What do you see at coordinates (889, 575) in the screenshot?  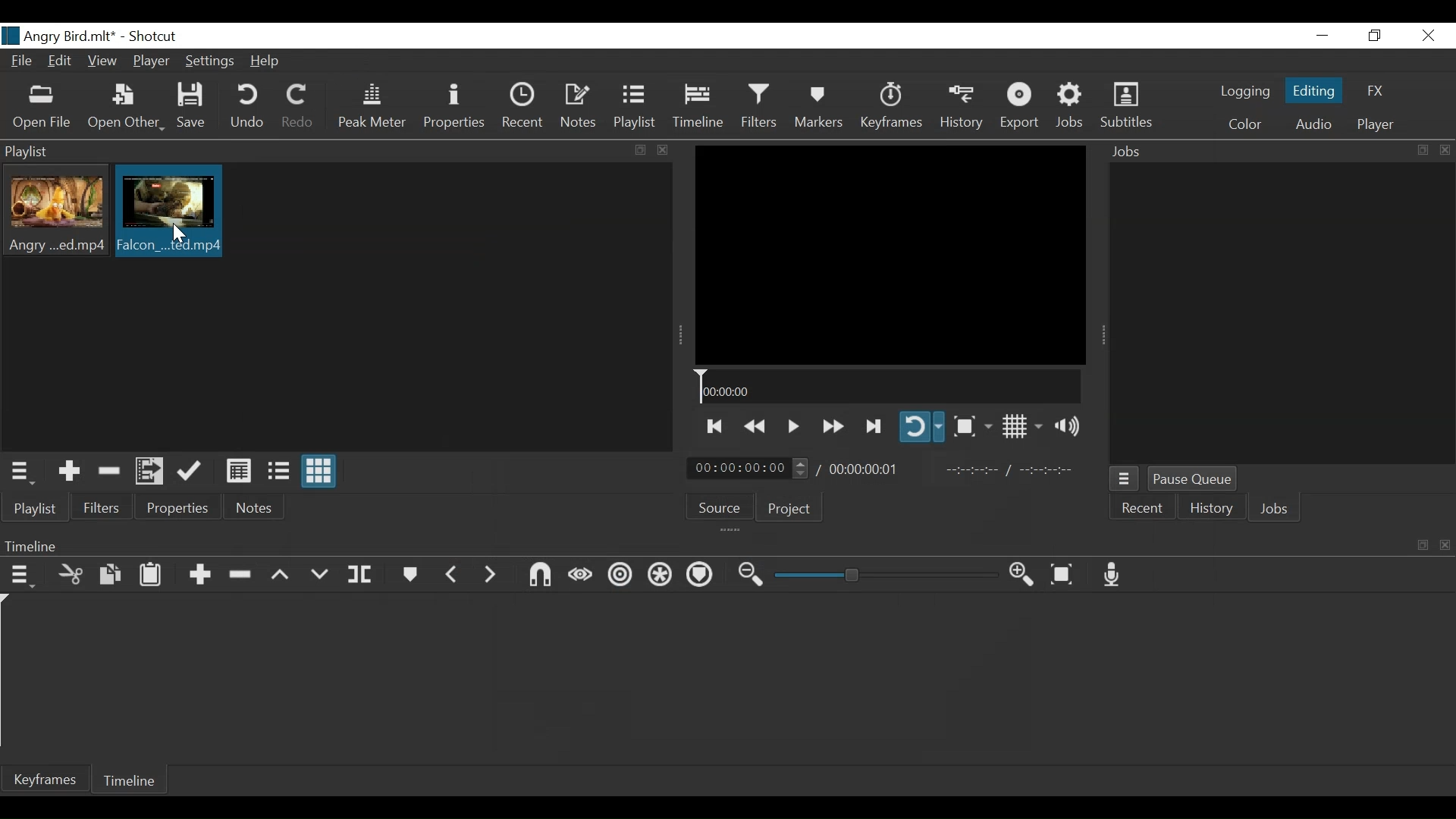 I see `Zoom slider` at bounding box center [889, 575].